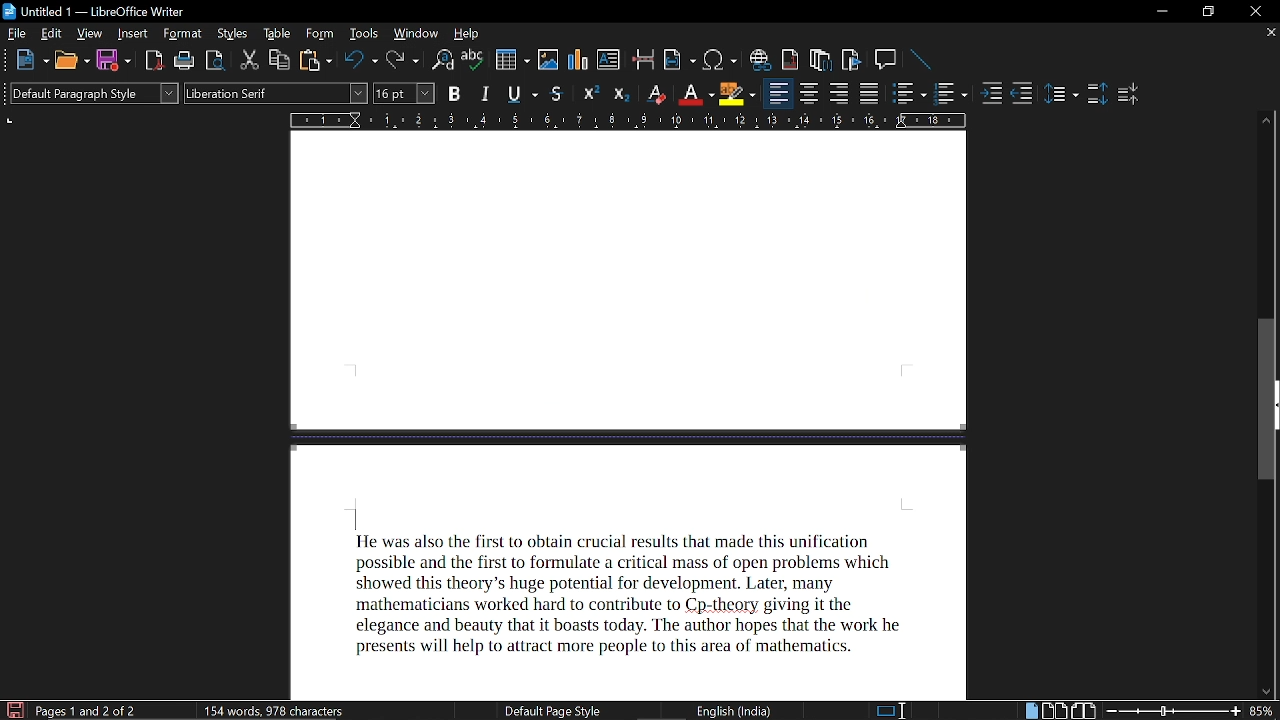 This screenshot has height=720, width=1280. I want to click on Export directly as pdf, so click(154, 61).